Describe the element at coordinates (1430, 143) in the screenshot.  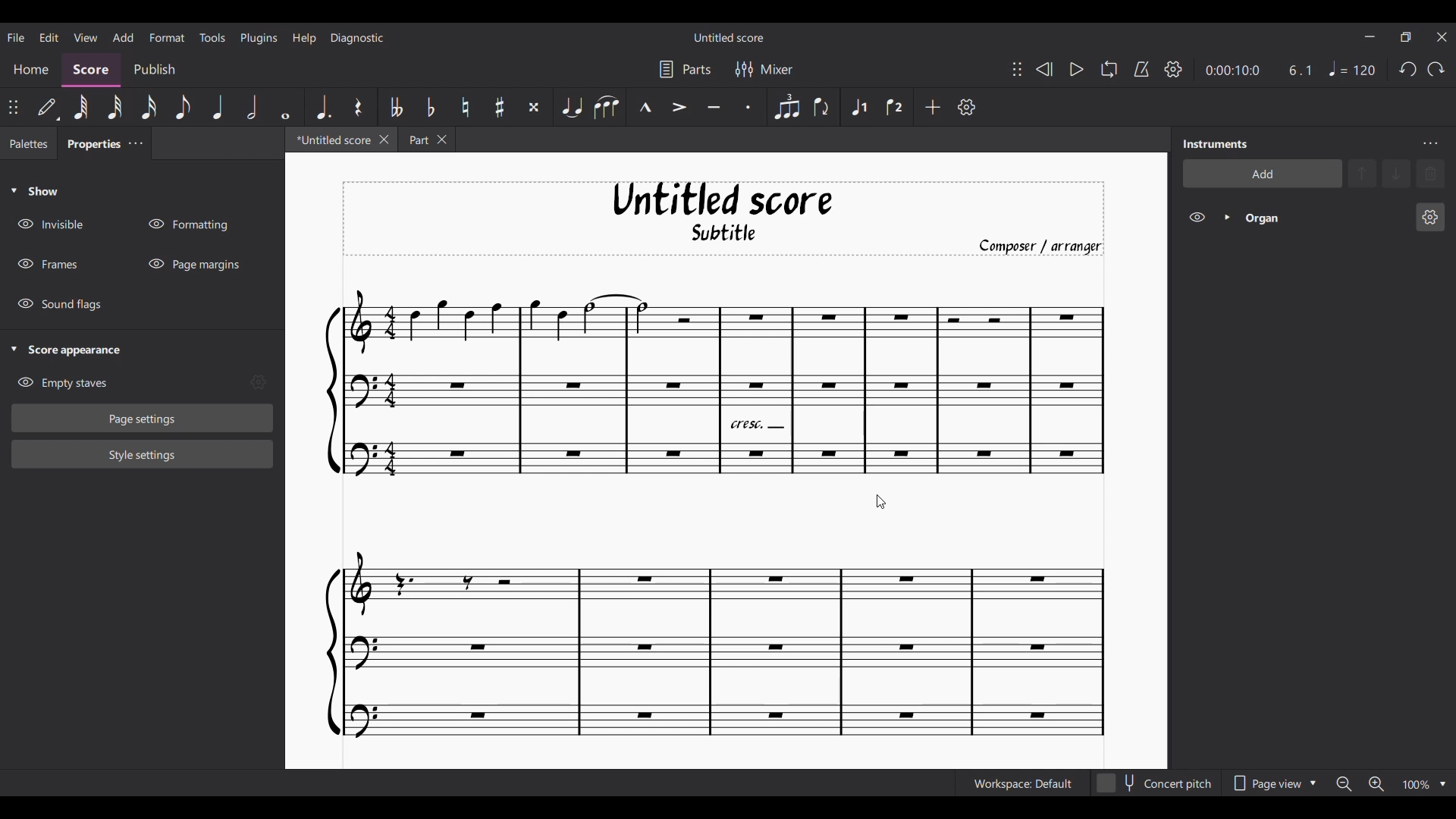
I see `Instruments panel settings` at that location.